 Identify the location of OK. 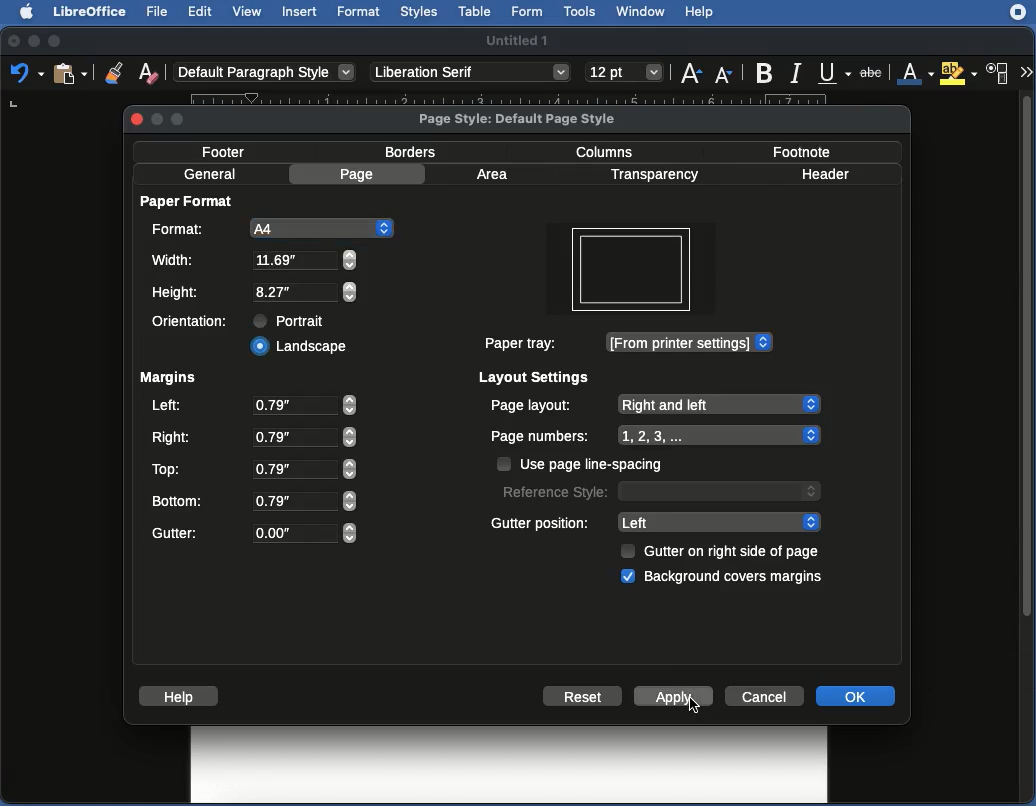
(857, 696).